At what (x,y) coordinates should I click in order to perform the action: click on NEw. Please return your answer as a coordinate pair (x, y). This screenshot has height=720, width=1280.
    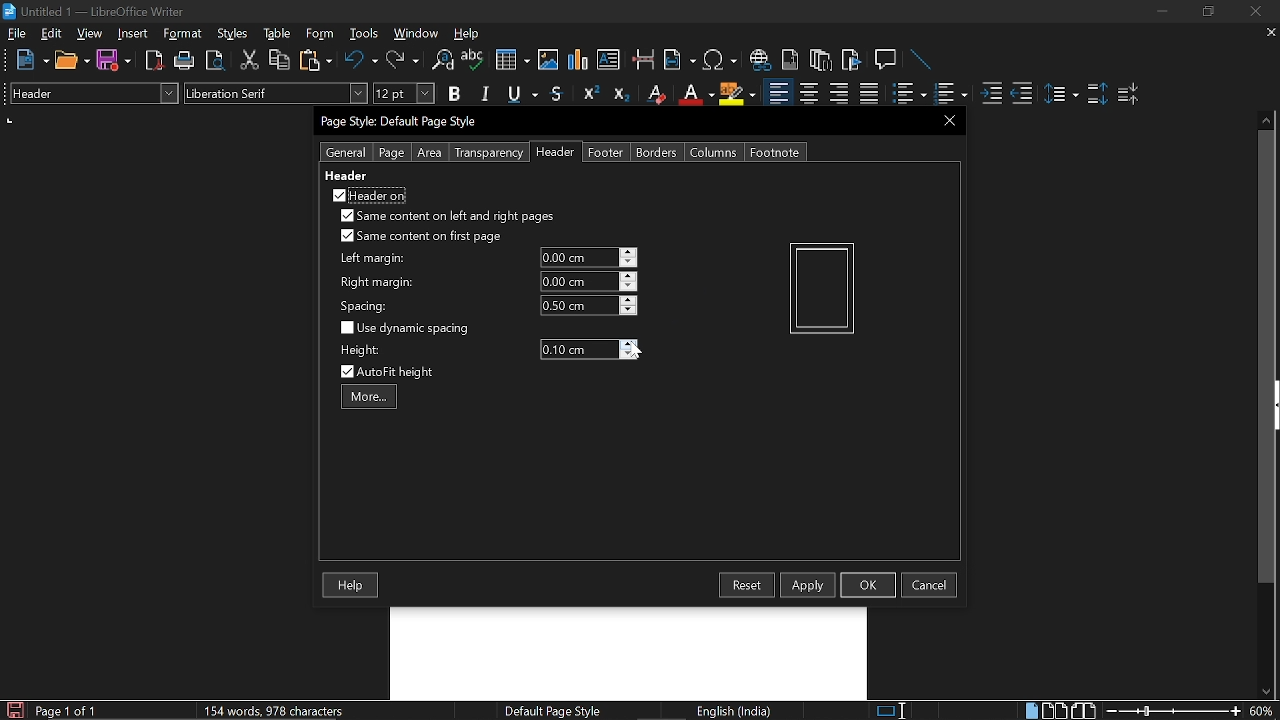
    Looking at the image, I should click on (31, 60).